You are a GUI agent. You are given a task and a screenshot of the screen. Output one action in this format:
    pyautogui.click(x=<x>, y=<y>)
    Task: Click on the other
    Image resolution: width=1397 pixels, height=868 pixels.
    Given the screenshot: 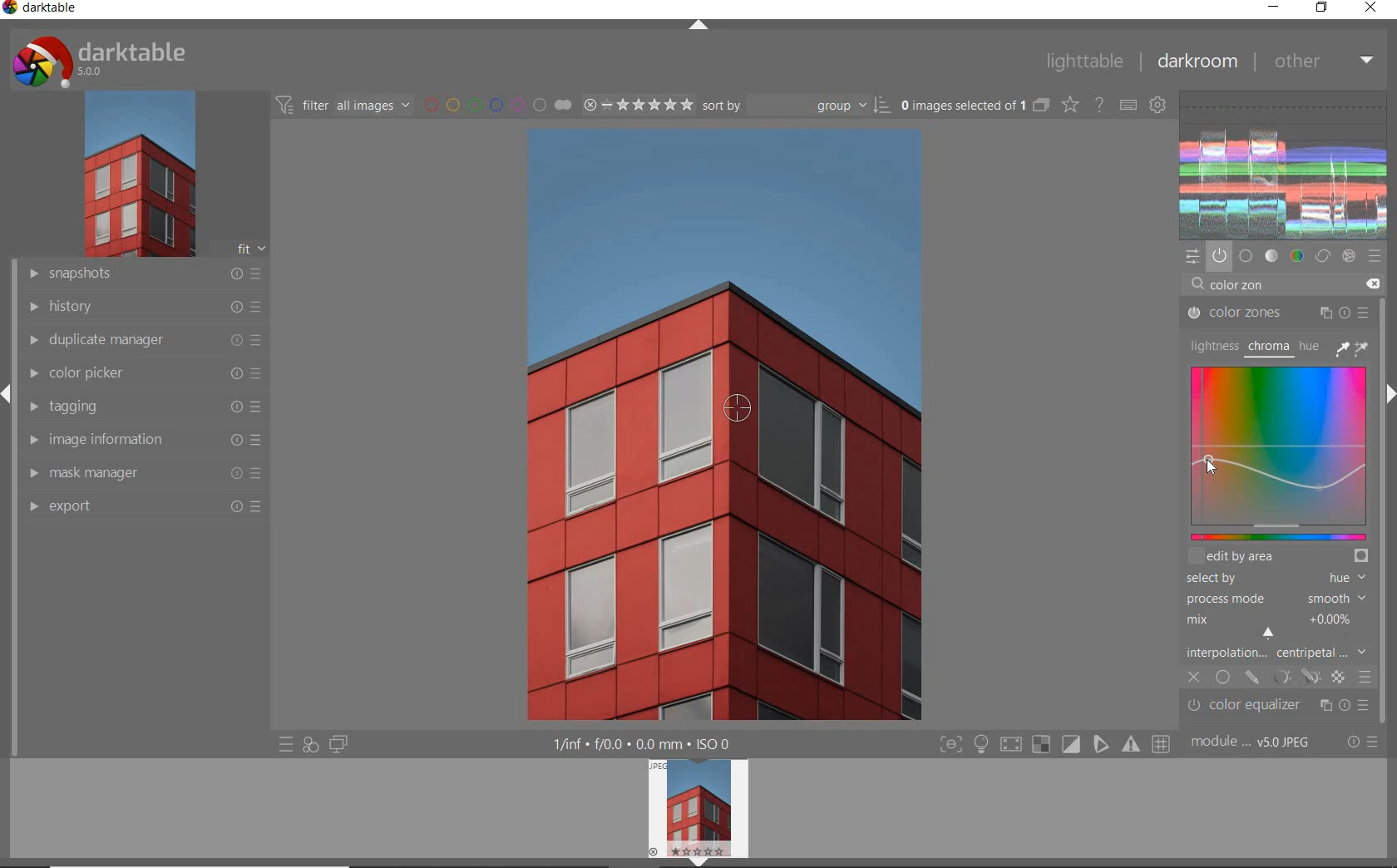 What is the action you would take?
    pyautogui.click(x=1324, y=60)
    